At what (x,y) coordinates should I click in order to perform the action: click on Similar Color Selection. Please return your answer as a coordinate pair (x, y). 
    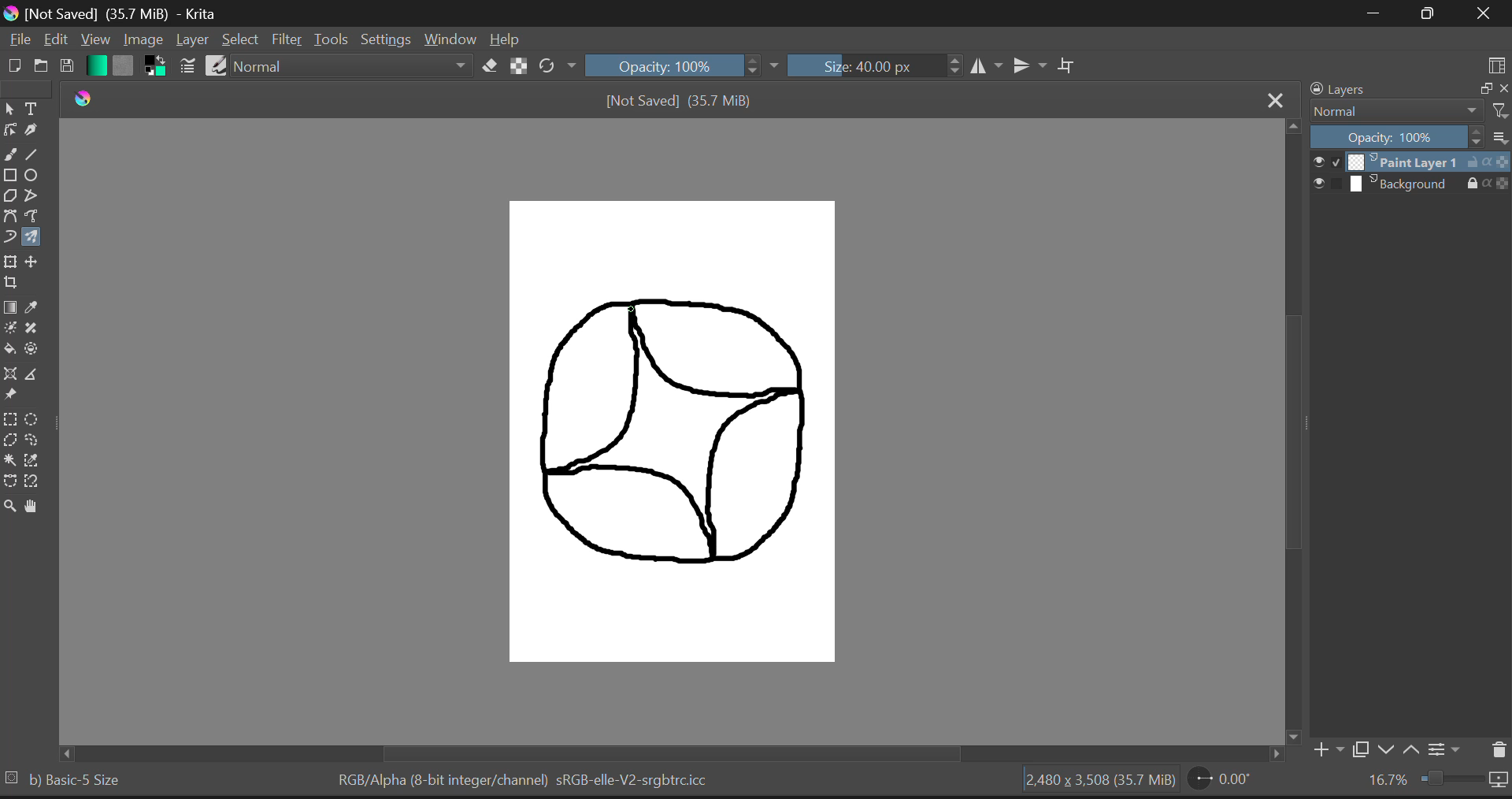
    Looking at the image, I should click on (39, 463).